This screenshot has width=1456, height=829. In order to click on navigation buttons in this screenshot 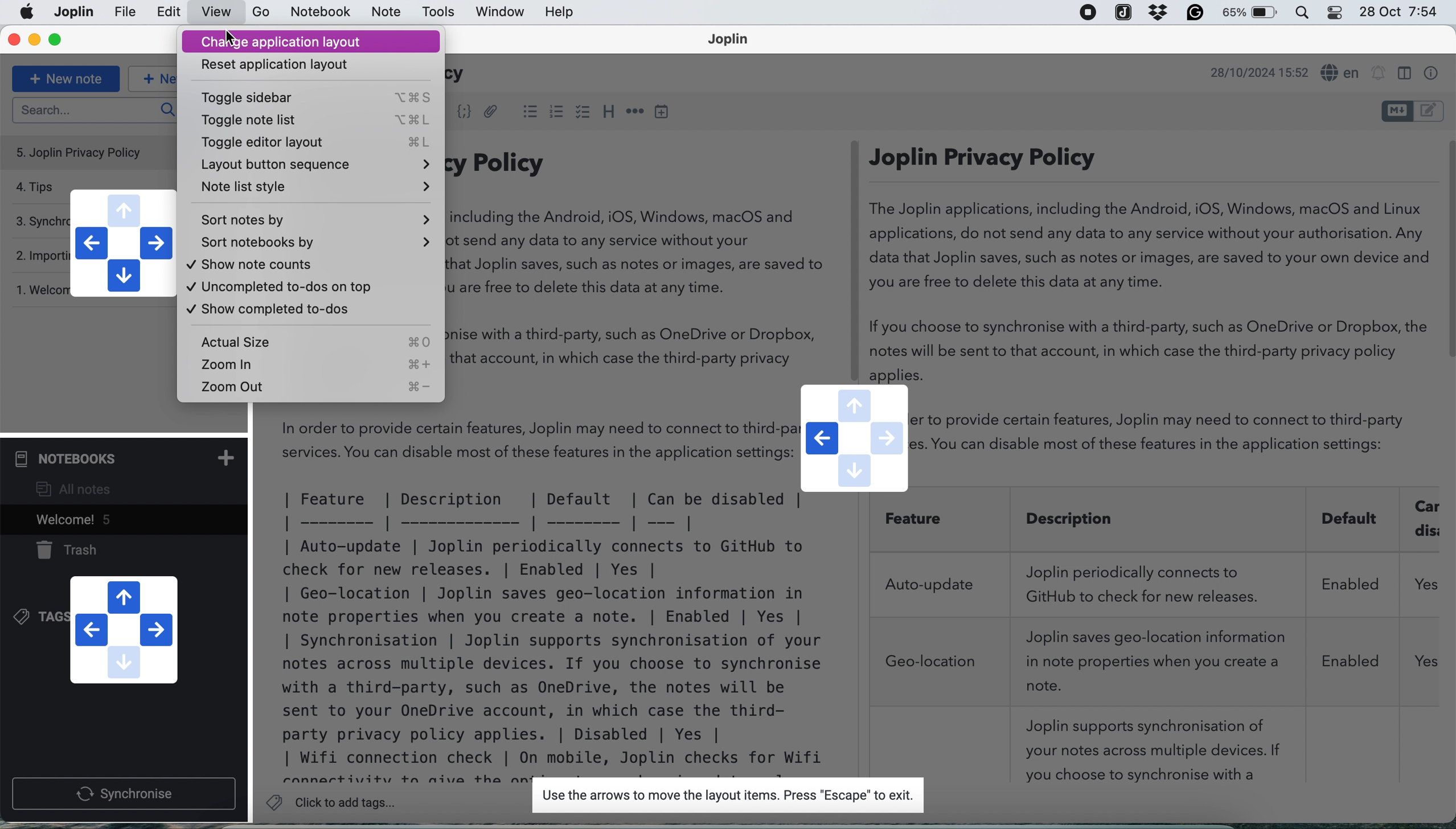, I will do `click(122, 243)`.